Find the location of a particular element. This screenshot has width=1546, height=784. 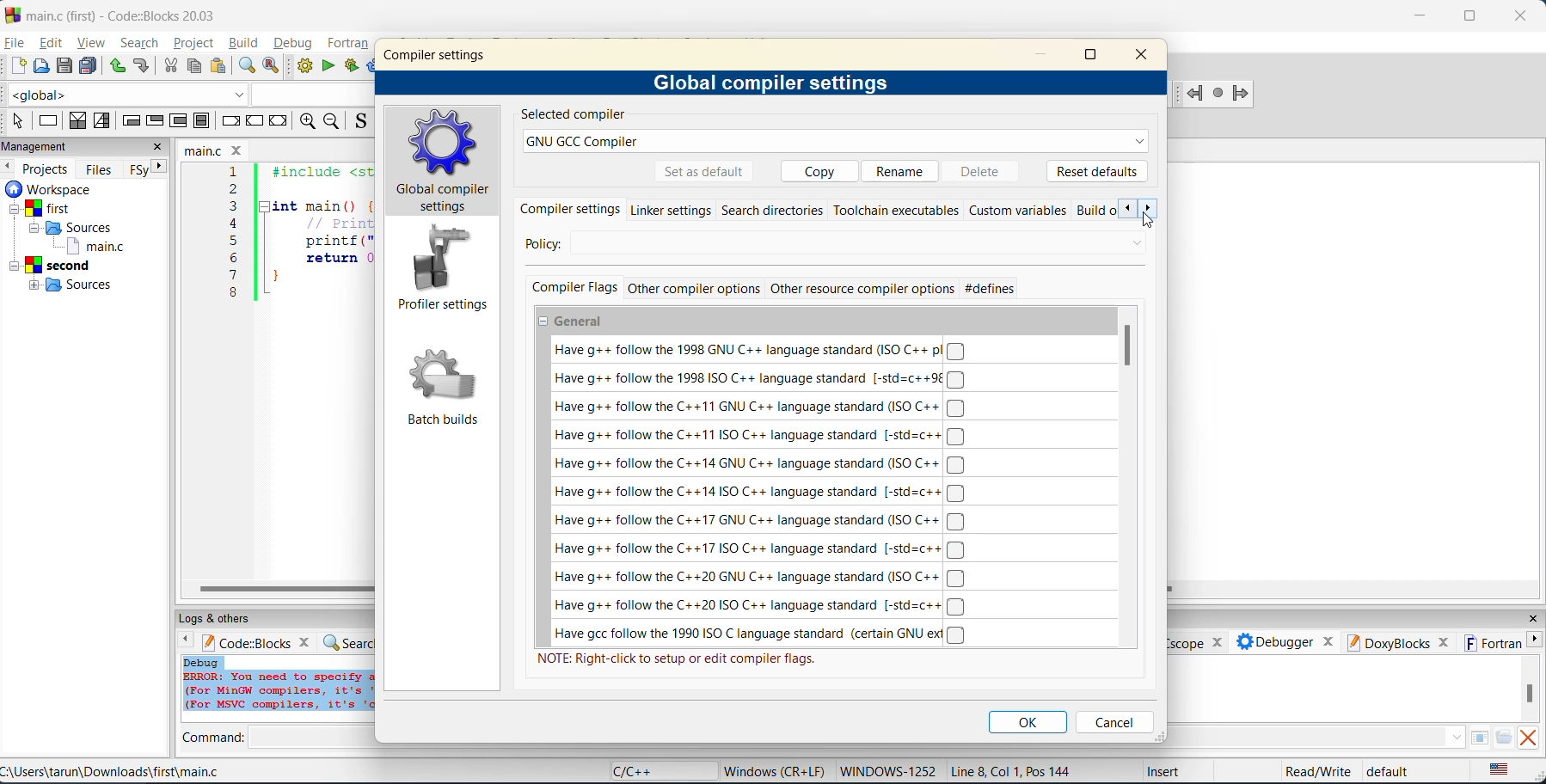

default is located at coordinates (1395, 772).